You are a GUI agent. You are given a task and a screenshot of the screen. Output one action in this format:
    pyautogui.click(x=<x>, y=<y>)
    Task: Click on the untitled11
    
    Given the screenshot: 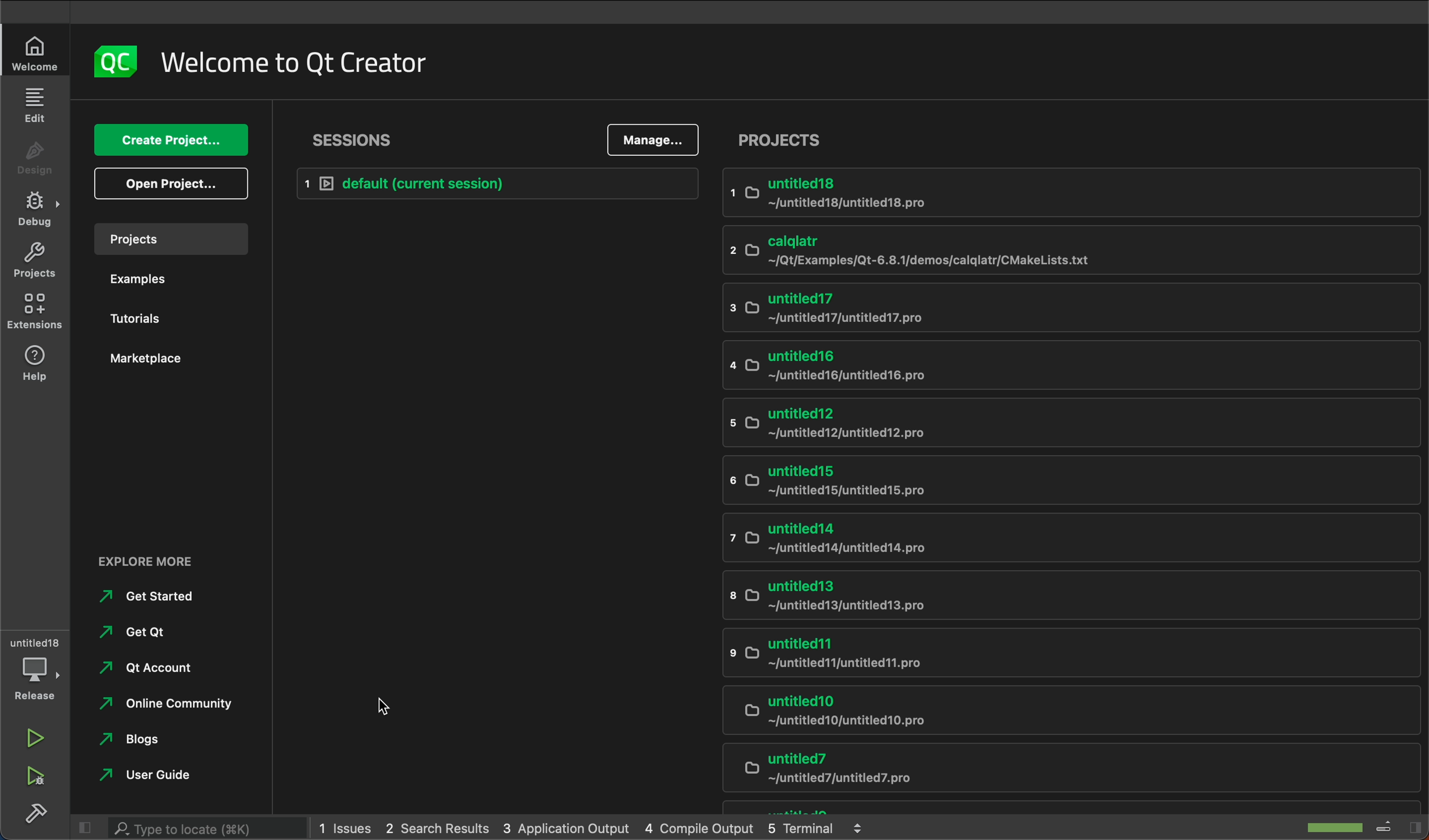 What is the action you would take?
    pyautogui.click(x=1034, y=655)
    